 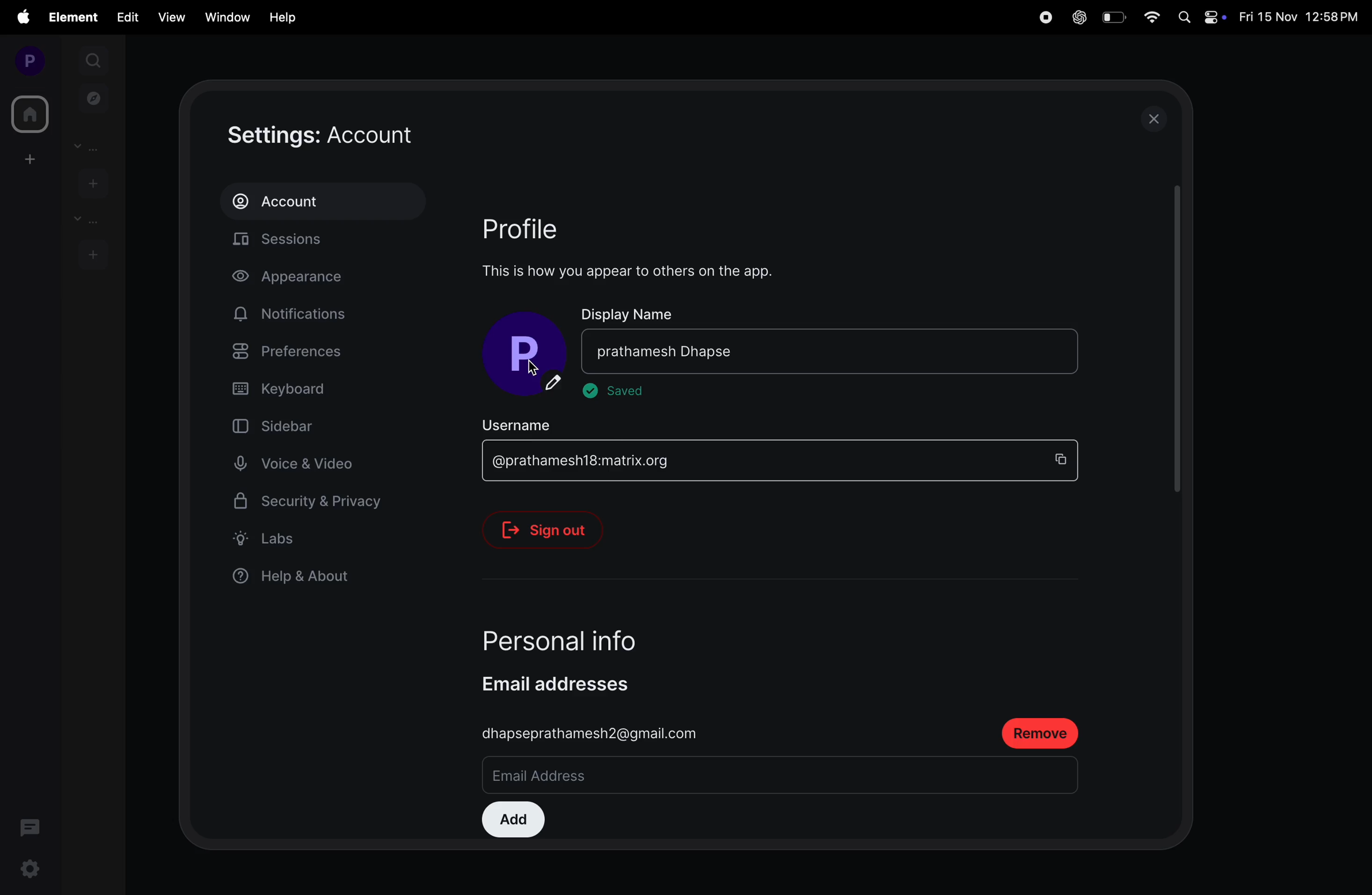 What do you see at coordinates (298, 578) in the screenshot?
I see `help and anout` at bounding box center [298, 578].